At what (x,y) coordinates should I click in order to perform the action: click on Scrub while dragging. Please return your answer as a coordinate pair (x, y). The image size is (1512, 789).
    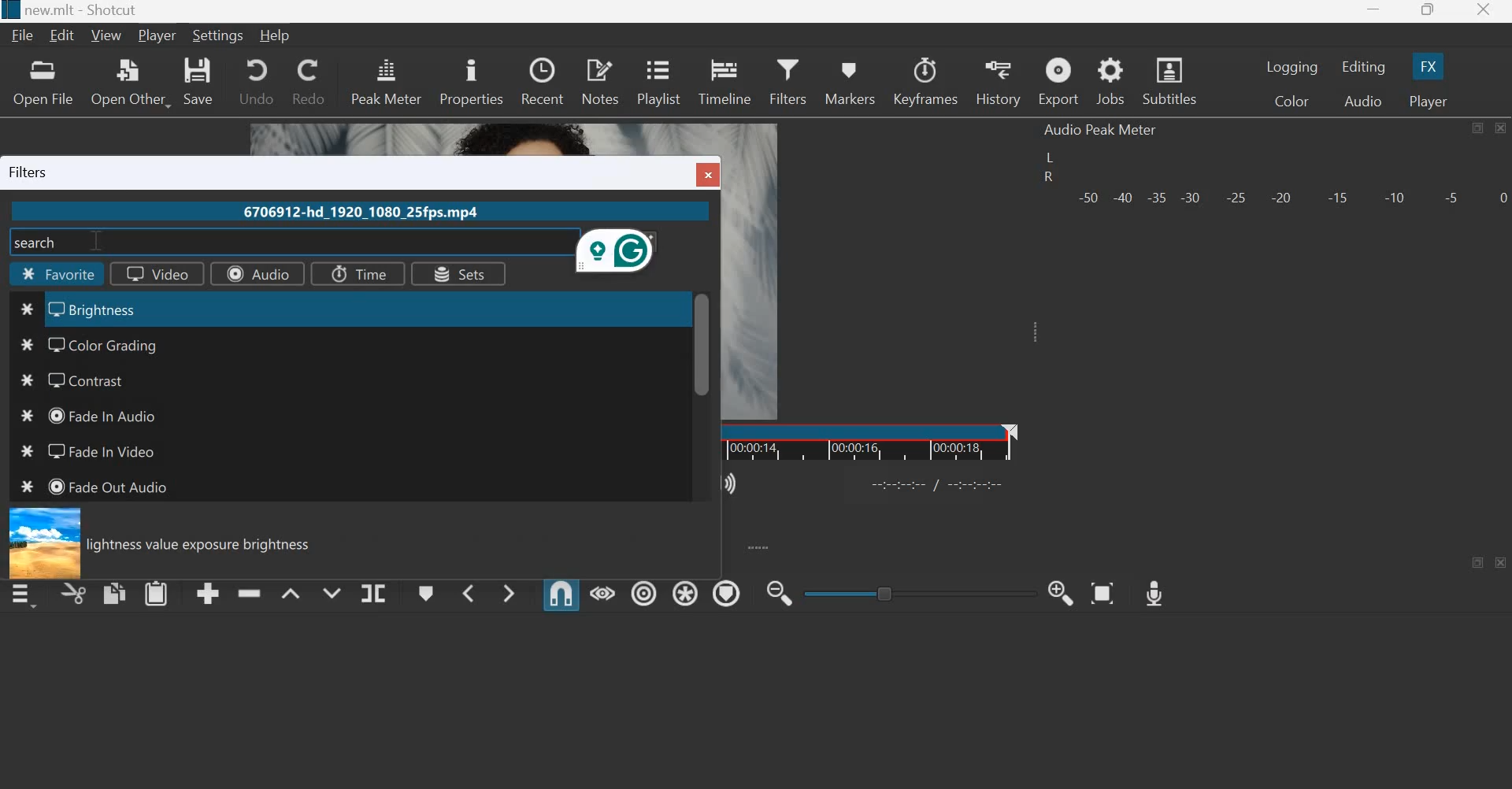
    Looking at the image, I should click on (603, 593).